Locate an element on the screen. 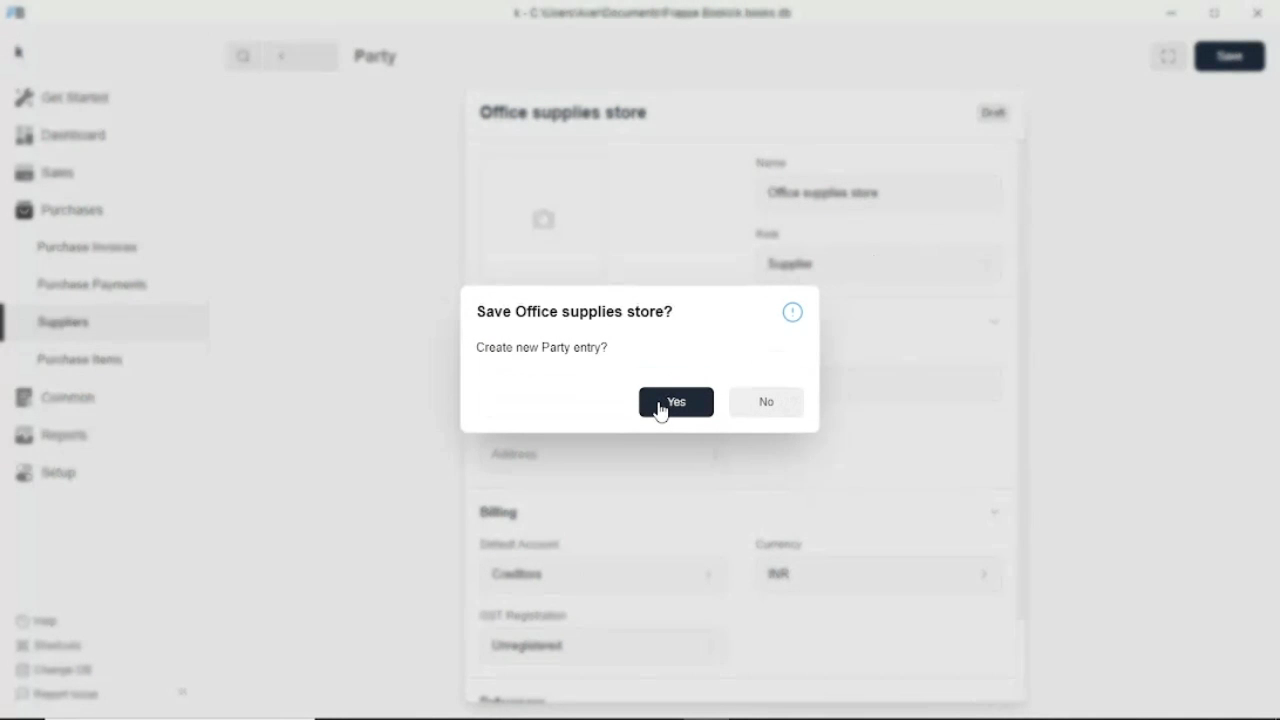  Office supplies store is located at coordinates (563, 113).